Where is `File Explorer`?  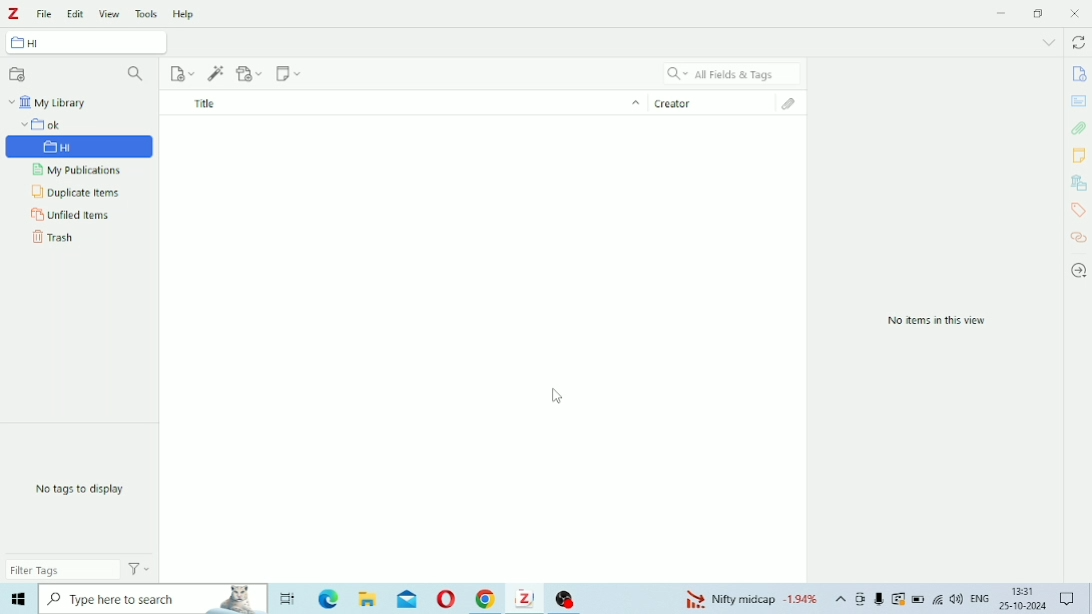
File Explorer is located at coordinates (370, 599).